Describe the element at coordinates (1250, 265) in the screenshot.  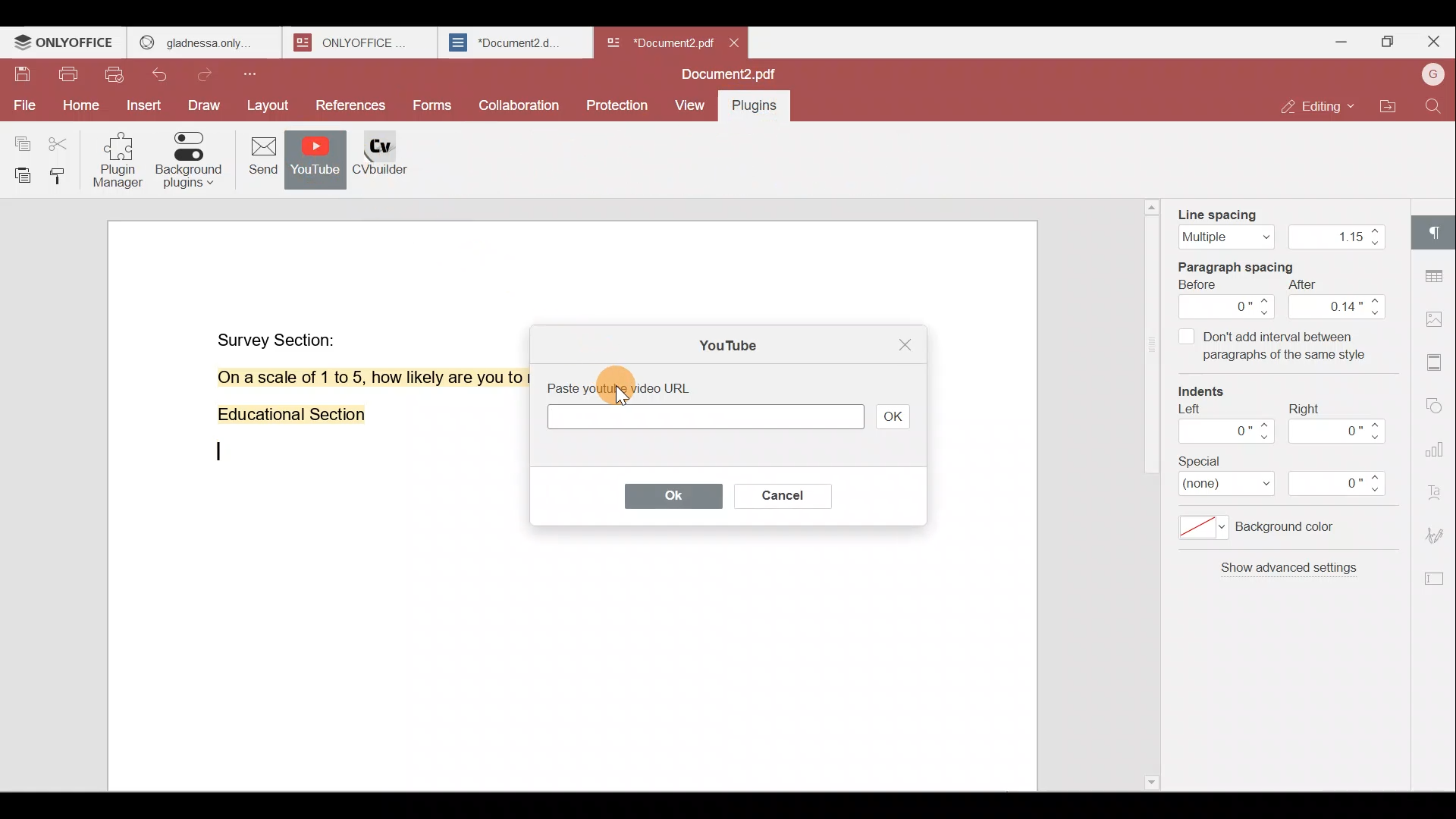
I see `Paragraph spacing` at that location.